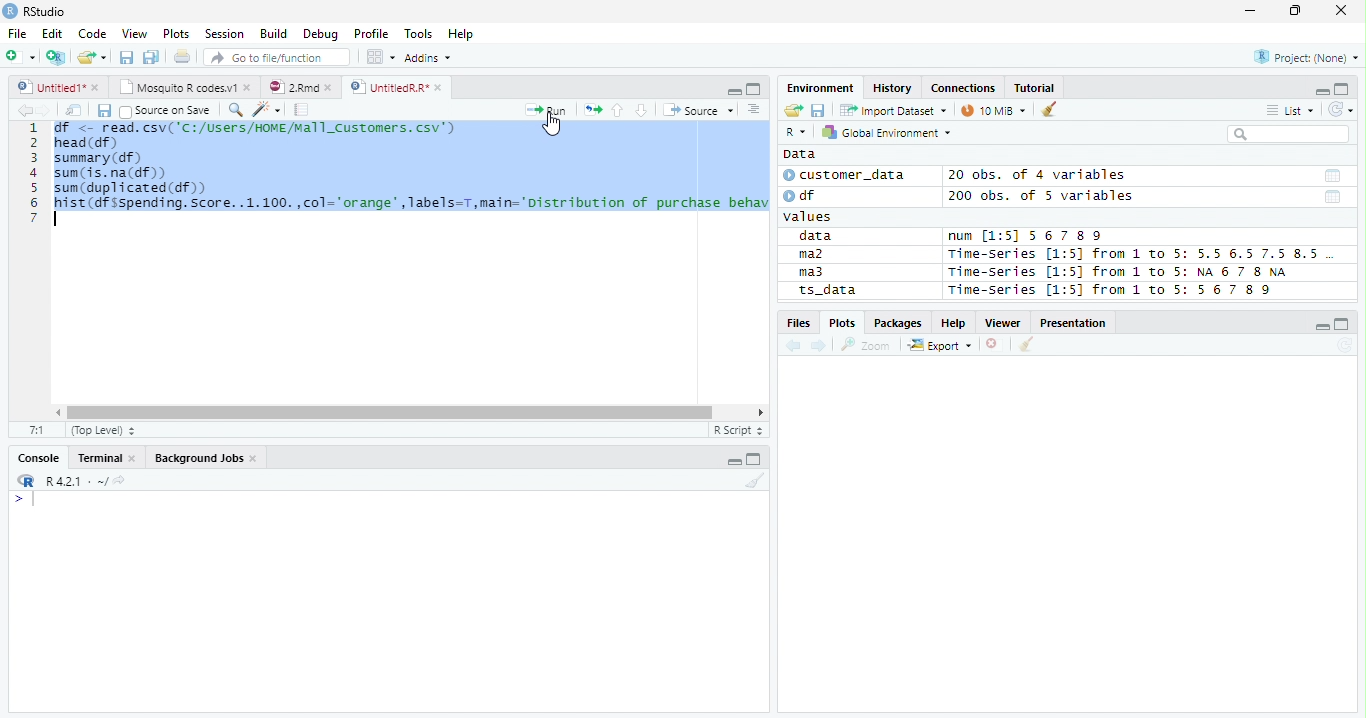 Image resolution: width=1366 pixels, height=718 pixels. What do you see at coordinates (806, 195) in the screenshot?
I see `df` at bounding box center [806, 195].